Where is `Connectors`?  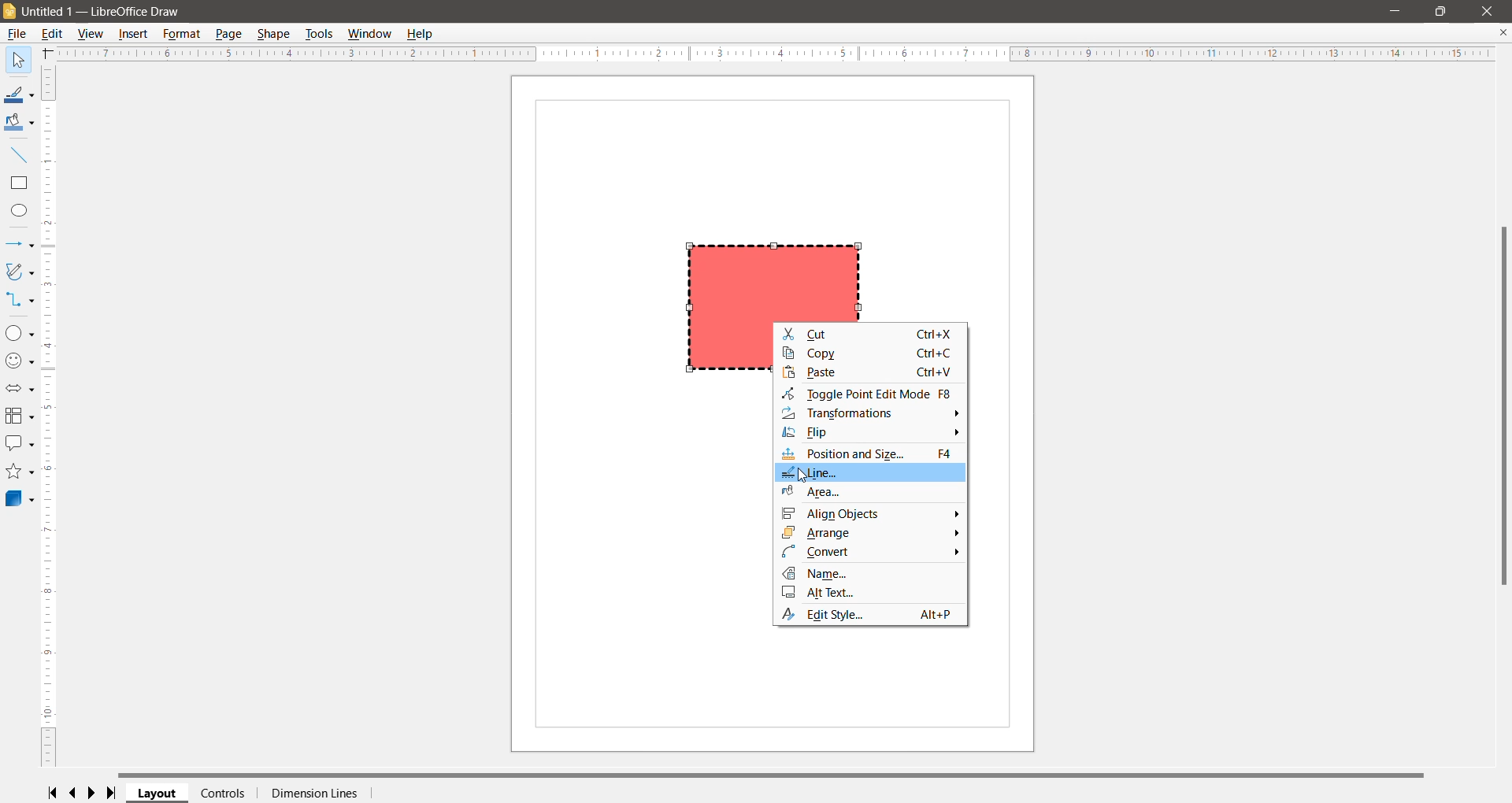 Connectors is located at coordinates (20, 301).